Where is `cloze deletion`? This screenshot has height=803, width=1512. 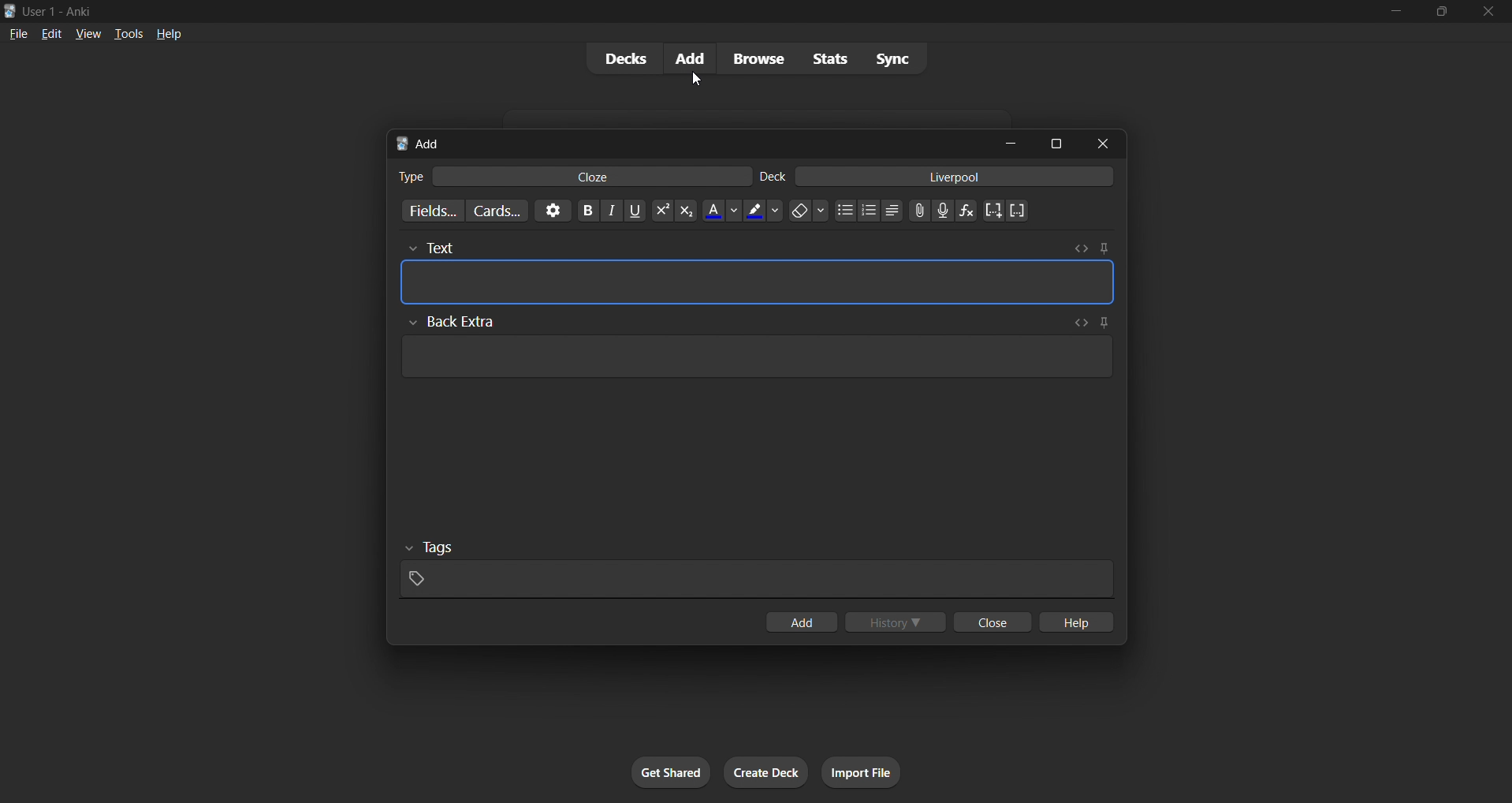 cloze deletion is located at coordinates (1020, 210).